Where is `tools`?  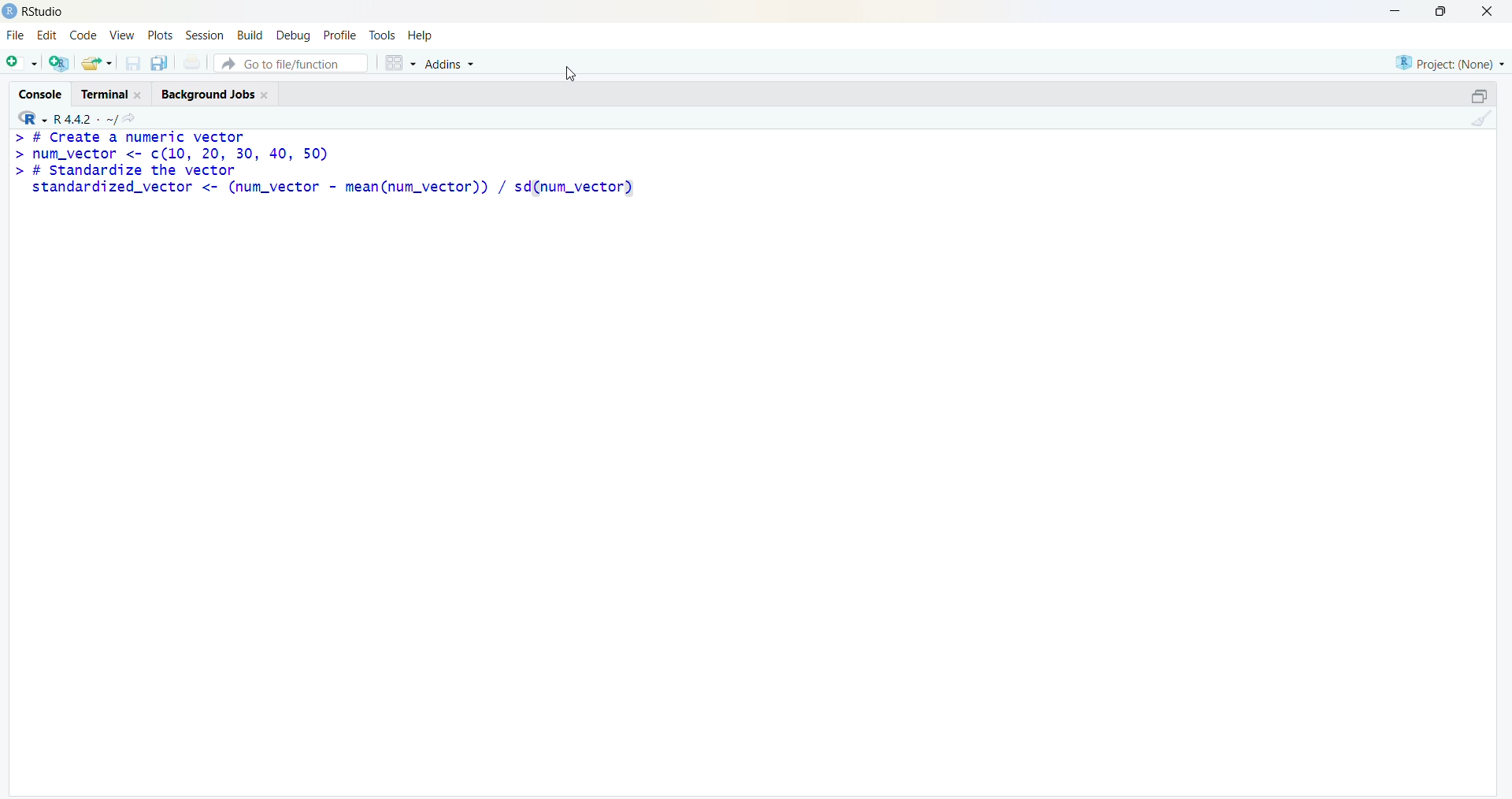
tools is located at coordinates (383, 35).